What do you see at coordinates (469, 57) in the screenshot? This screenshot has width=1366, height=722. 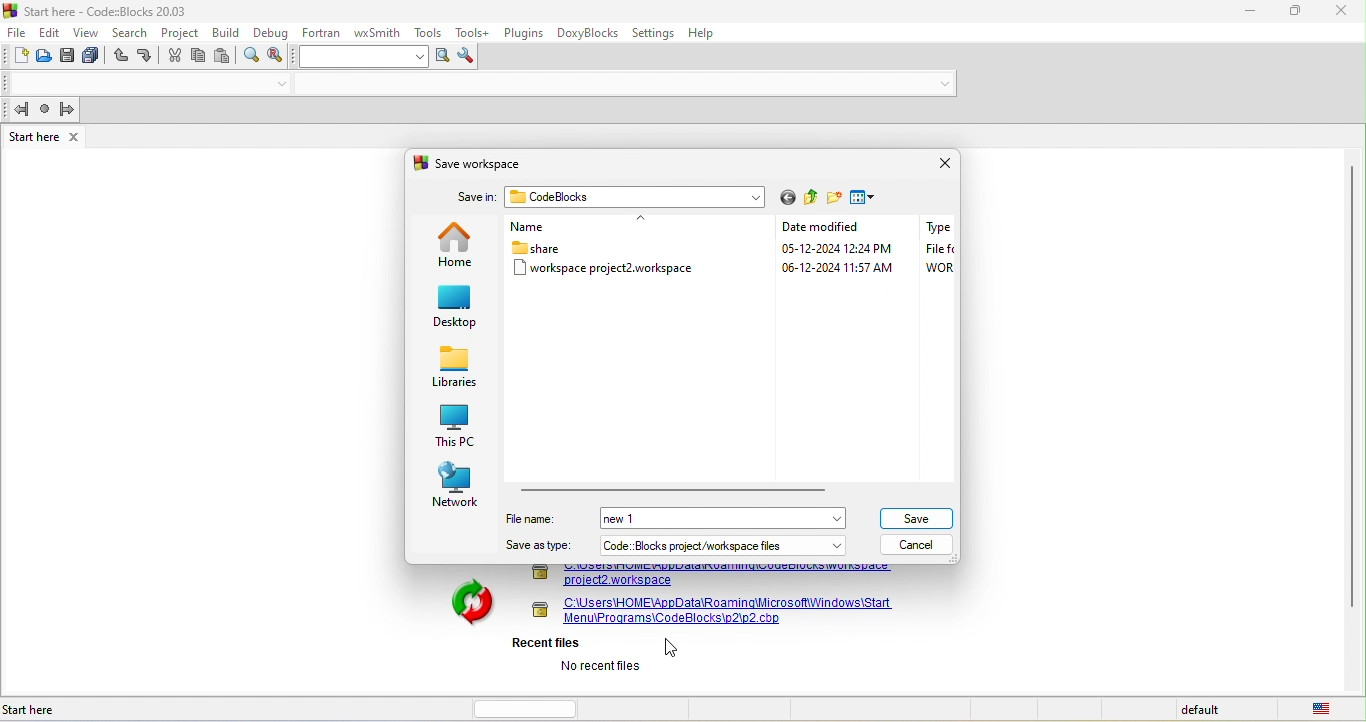 I see `show option window` at bounding box center [469, 57].